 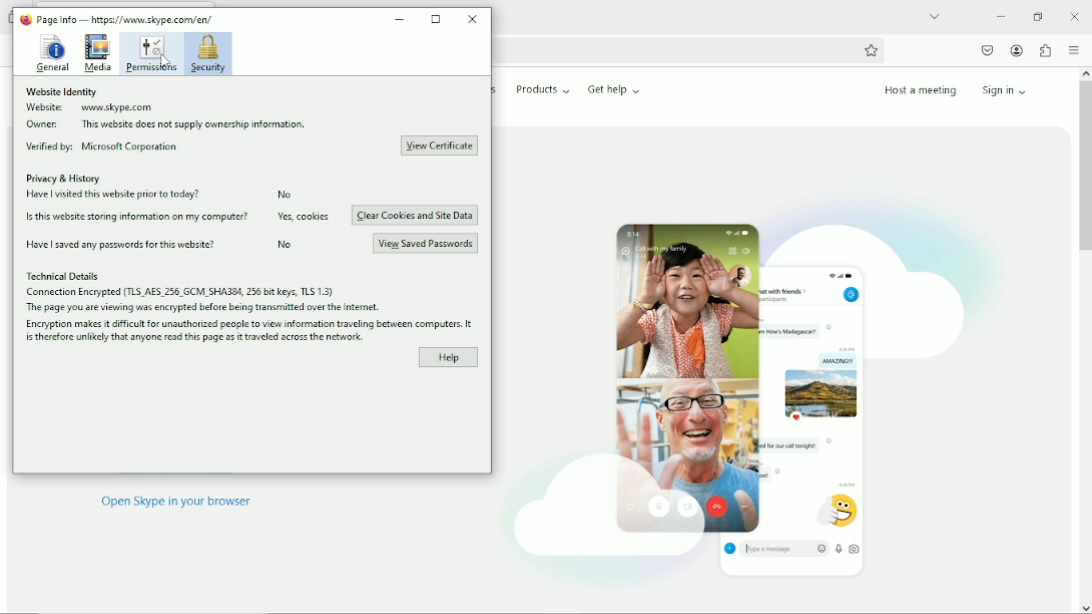 What do you see at coordinates (208, 54) in the screenshot?
I see `Security` at bounding box center [208, 54].